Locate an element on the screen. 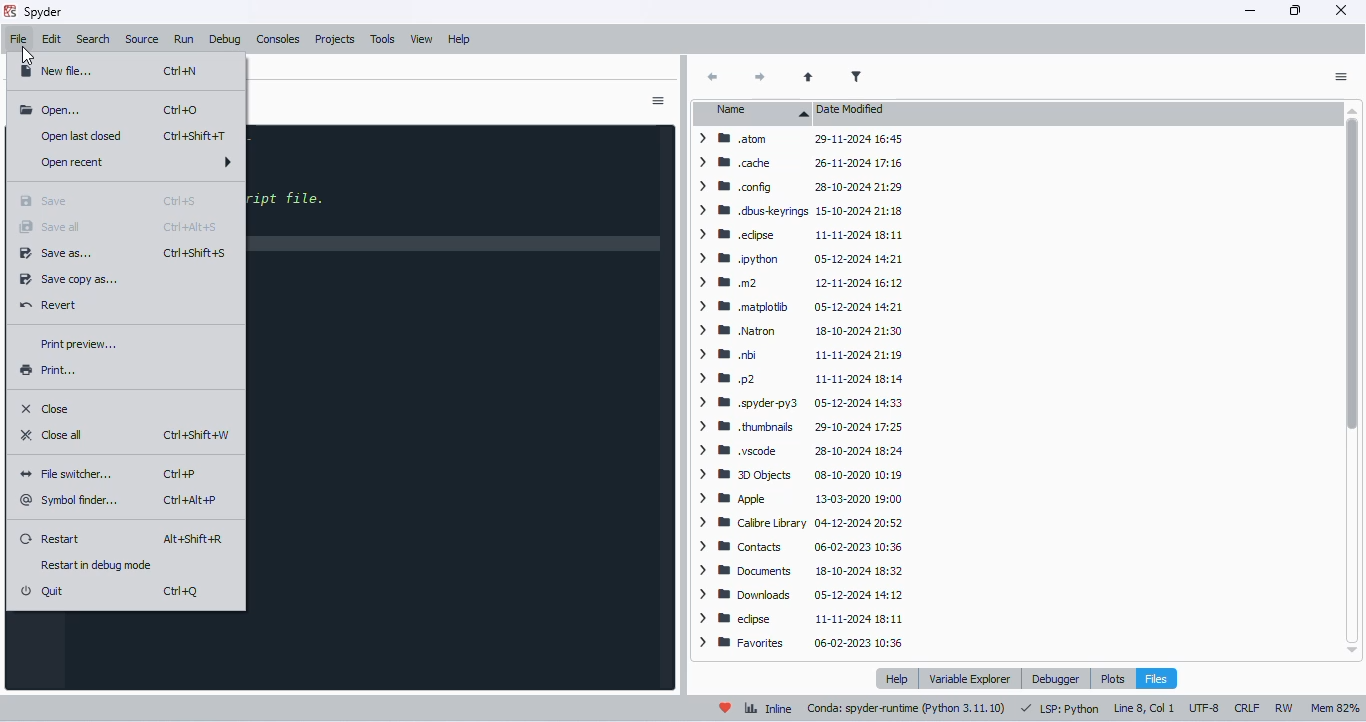  LSP: python is located at coordinates (1061, 709).